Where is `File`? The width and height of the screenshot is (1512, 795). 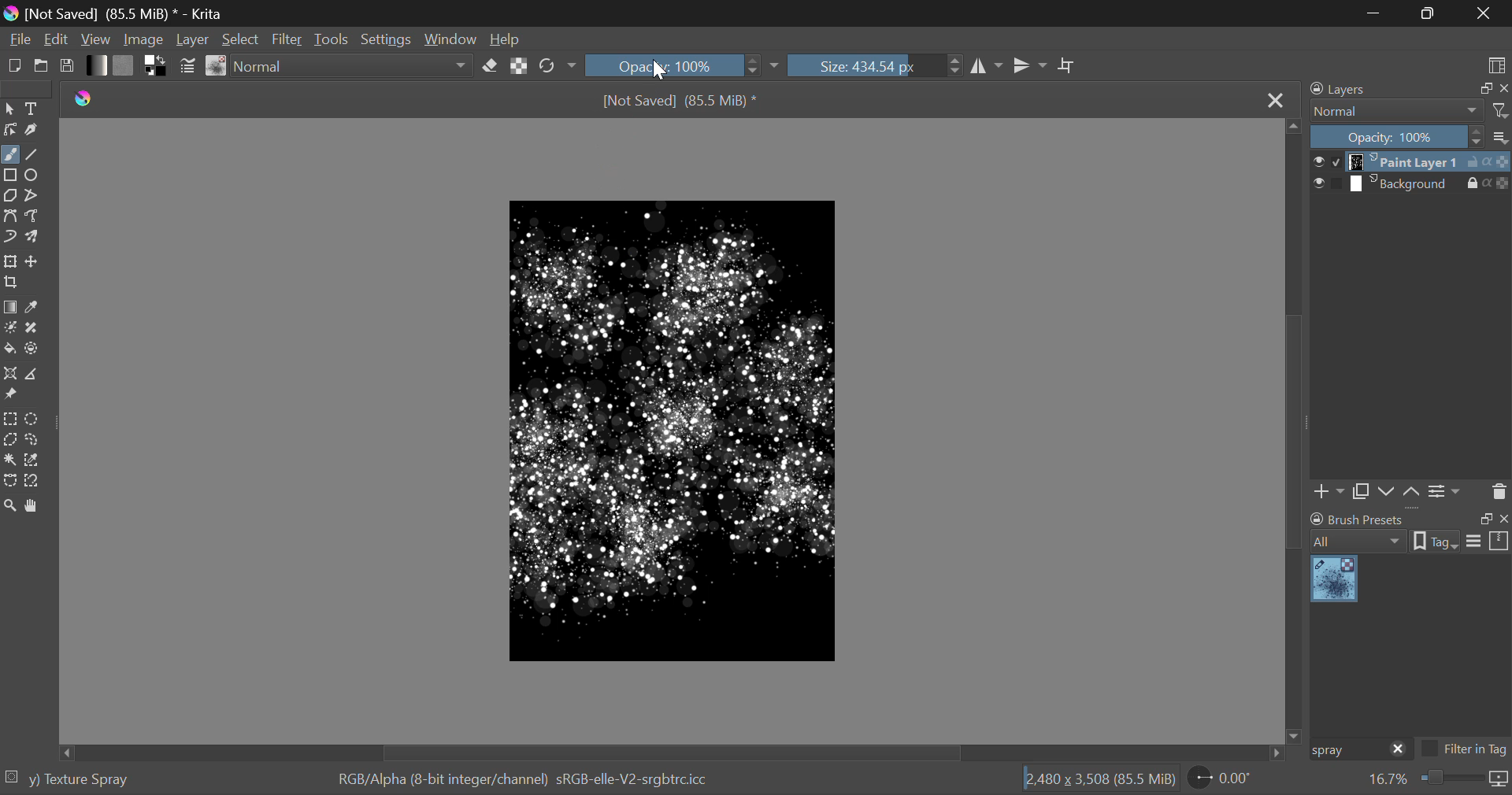
File is located at coordinates (19, 38).